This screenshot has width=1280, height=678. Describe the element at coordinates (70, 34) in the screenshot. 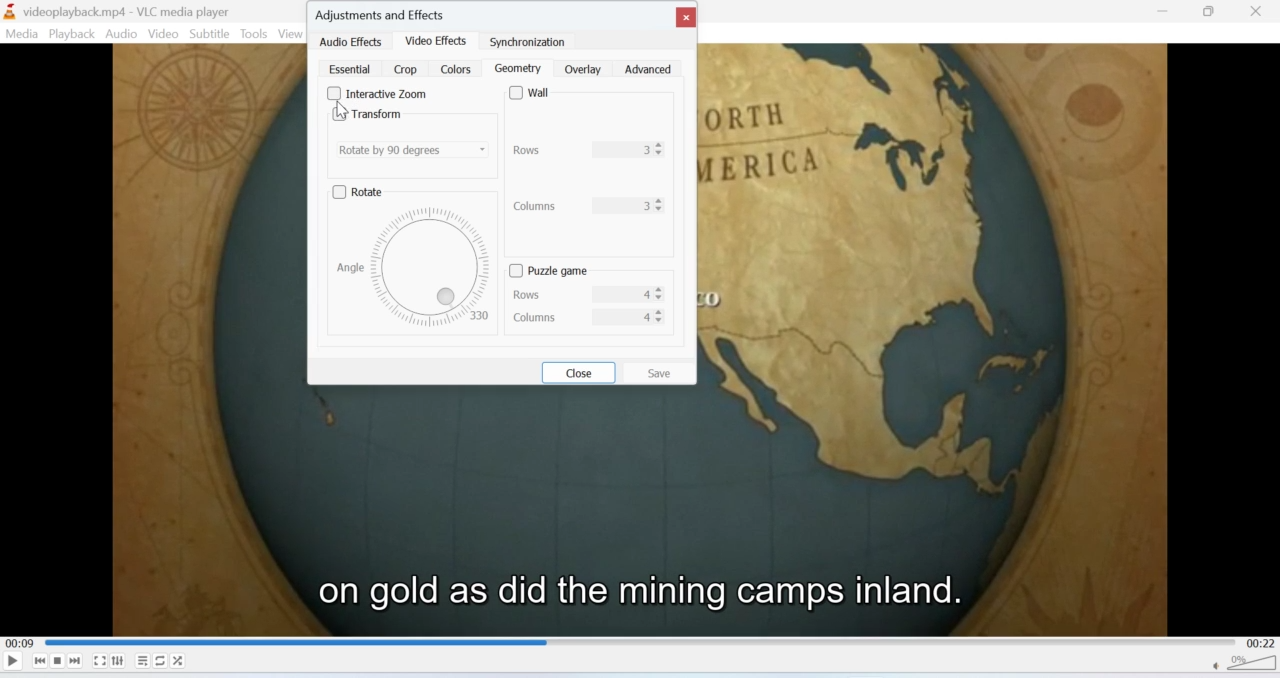

I see `Playback` at that location.